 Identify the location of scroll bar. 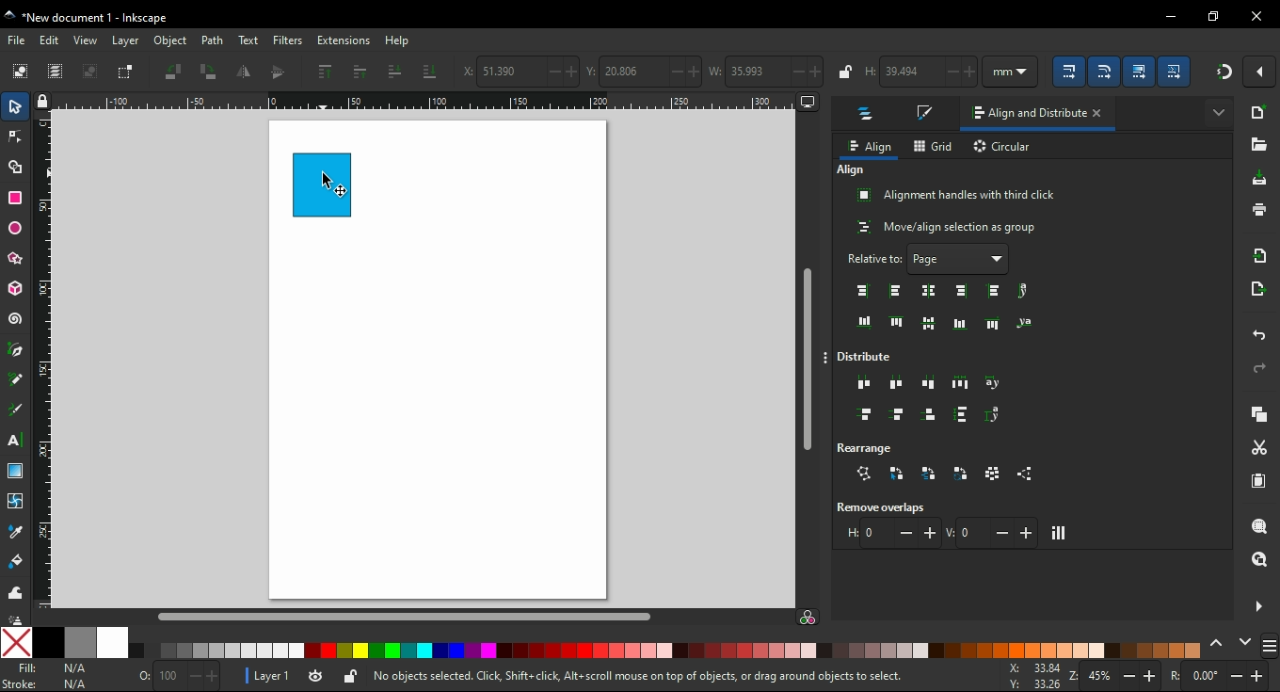
(423, 616).